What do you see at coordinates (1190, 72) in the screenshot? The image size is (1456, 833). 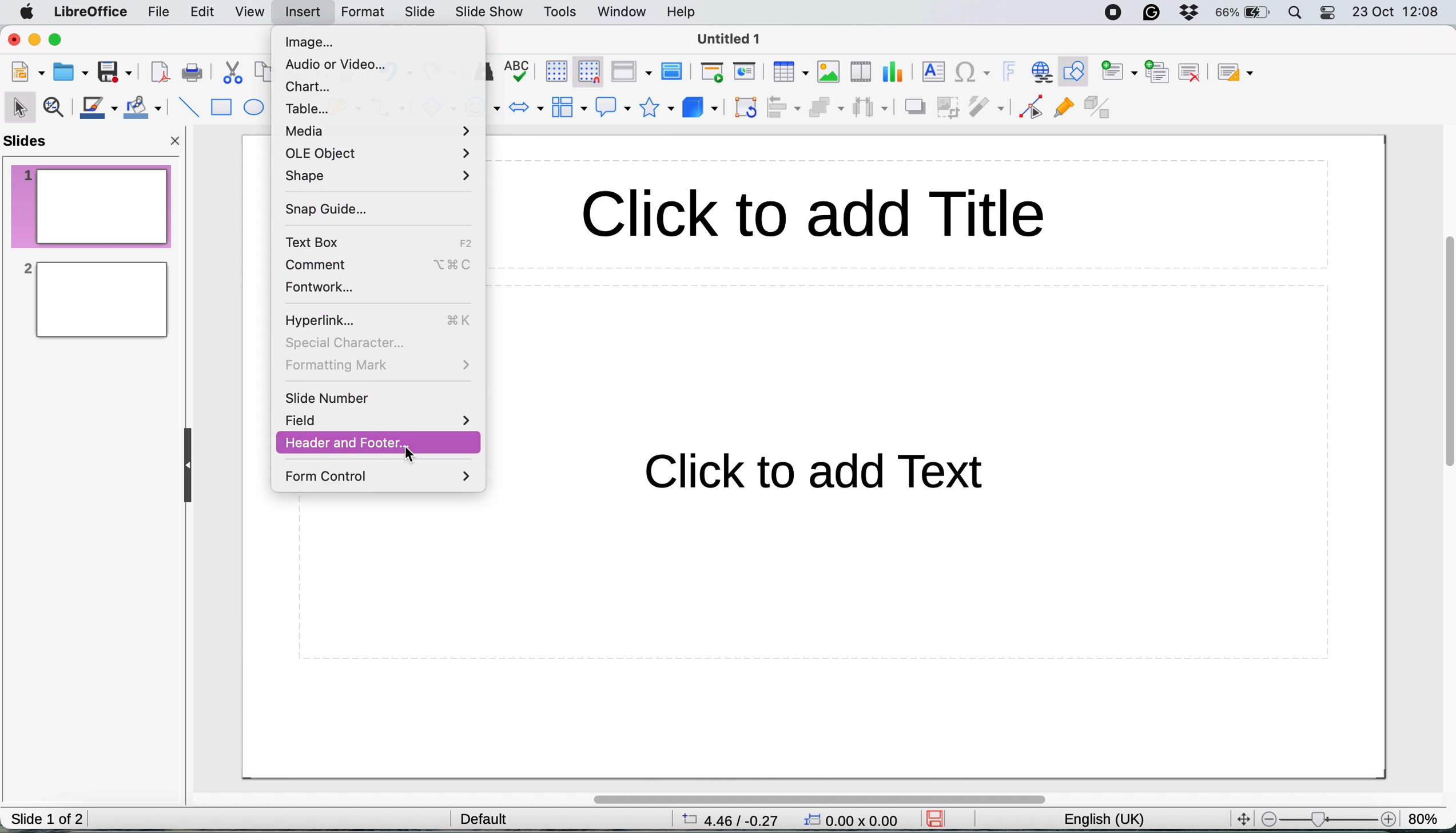 I see `delete slide` at bounding box center [1190, 72].